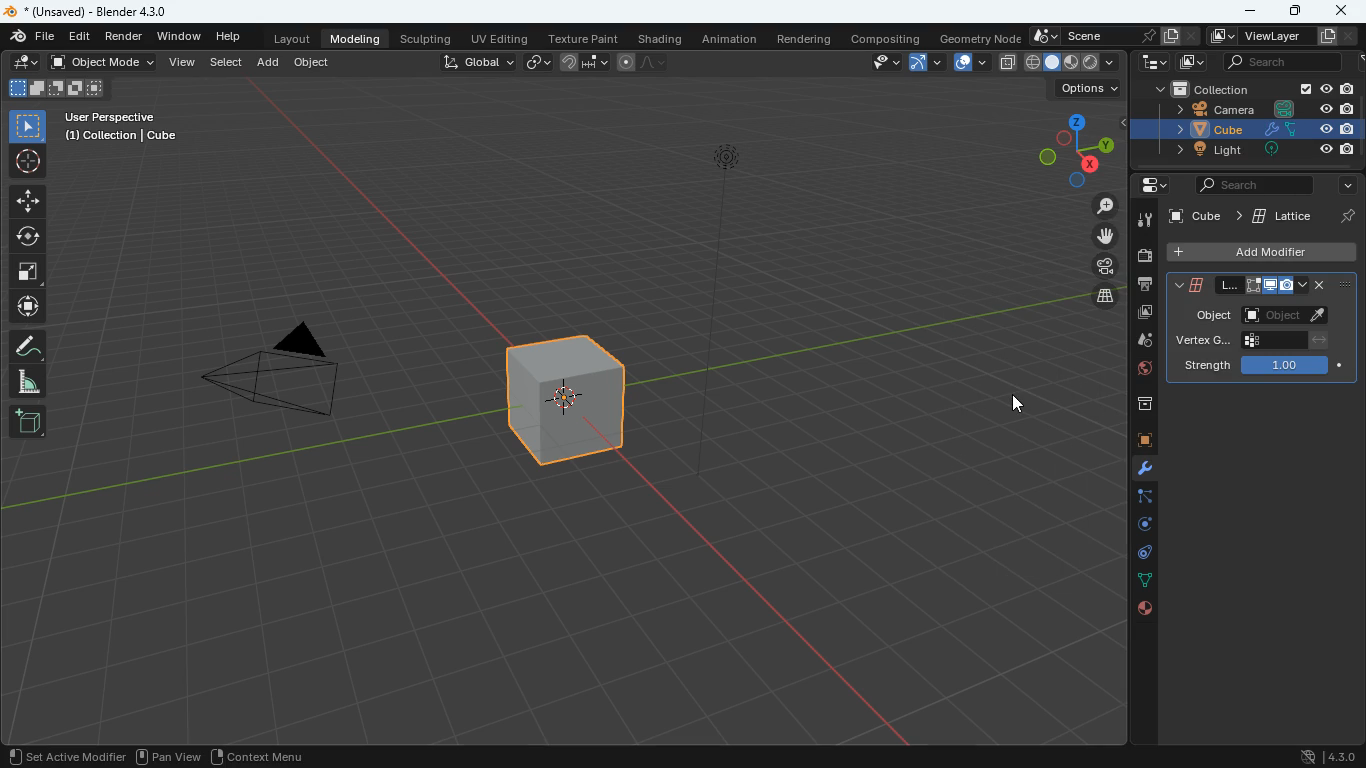  I want to click on layers, so click(1106, 298).